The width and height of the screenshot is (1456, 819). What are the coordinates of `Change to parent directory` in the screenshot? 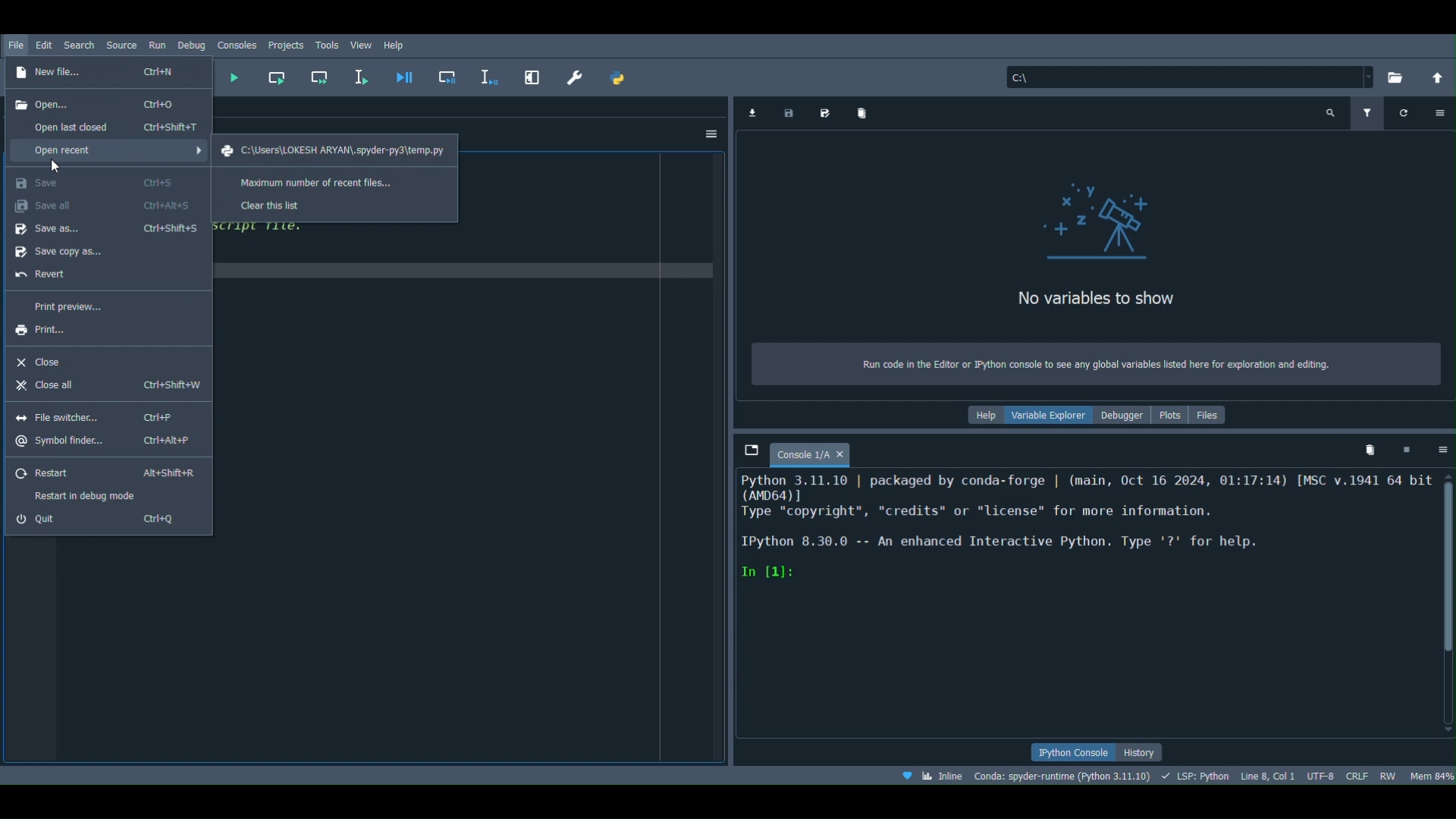 It's located at (1429, 73).